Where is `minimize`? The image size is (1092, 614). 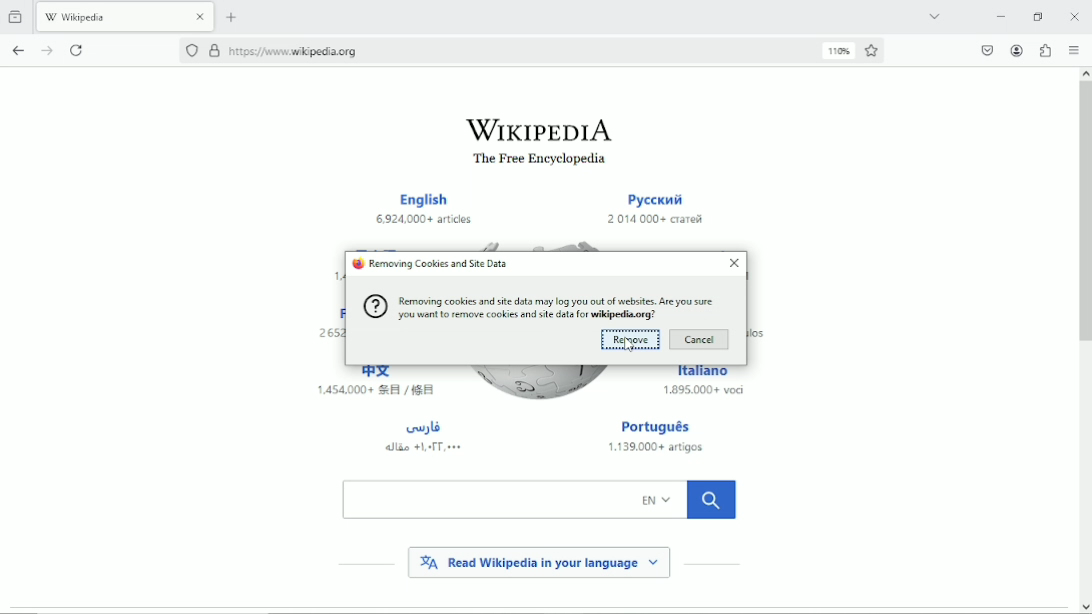 minimize is located at coordinates (1001, 16).